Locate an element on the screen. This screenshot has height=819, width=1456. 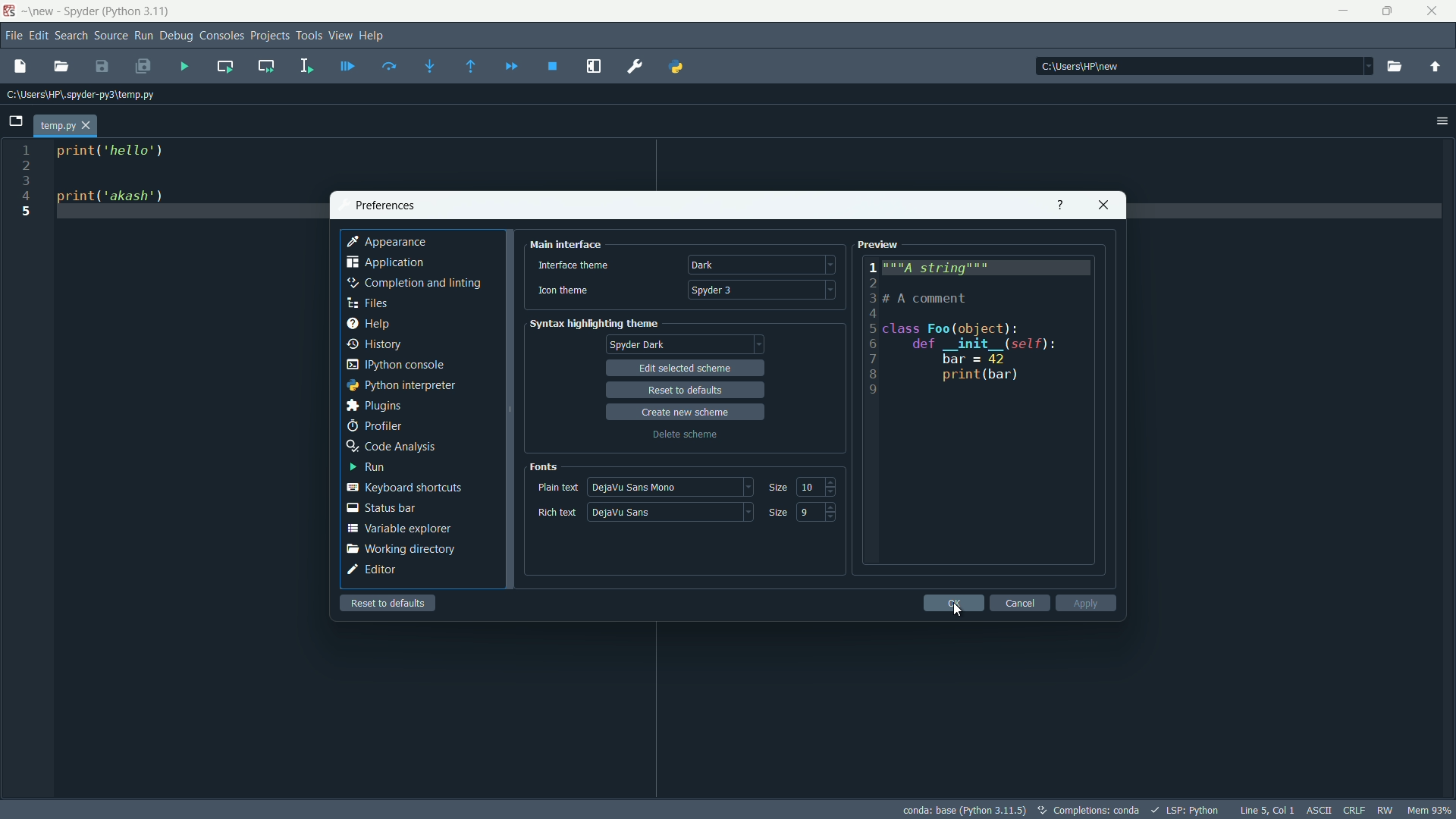
rich text is located at coordinates (557, 513).